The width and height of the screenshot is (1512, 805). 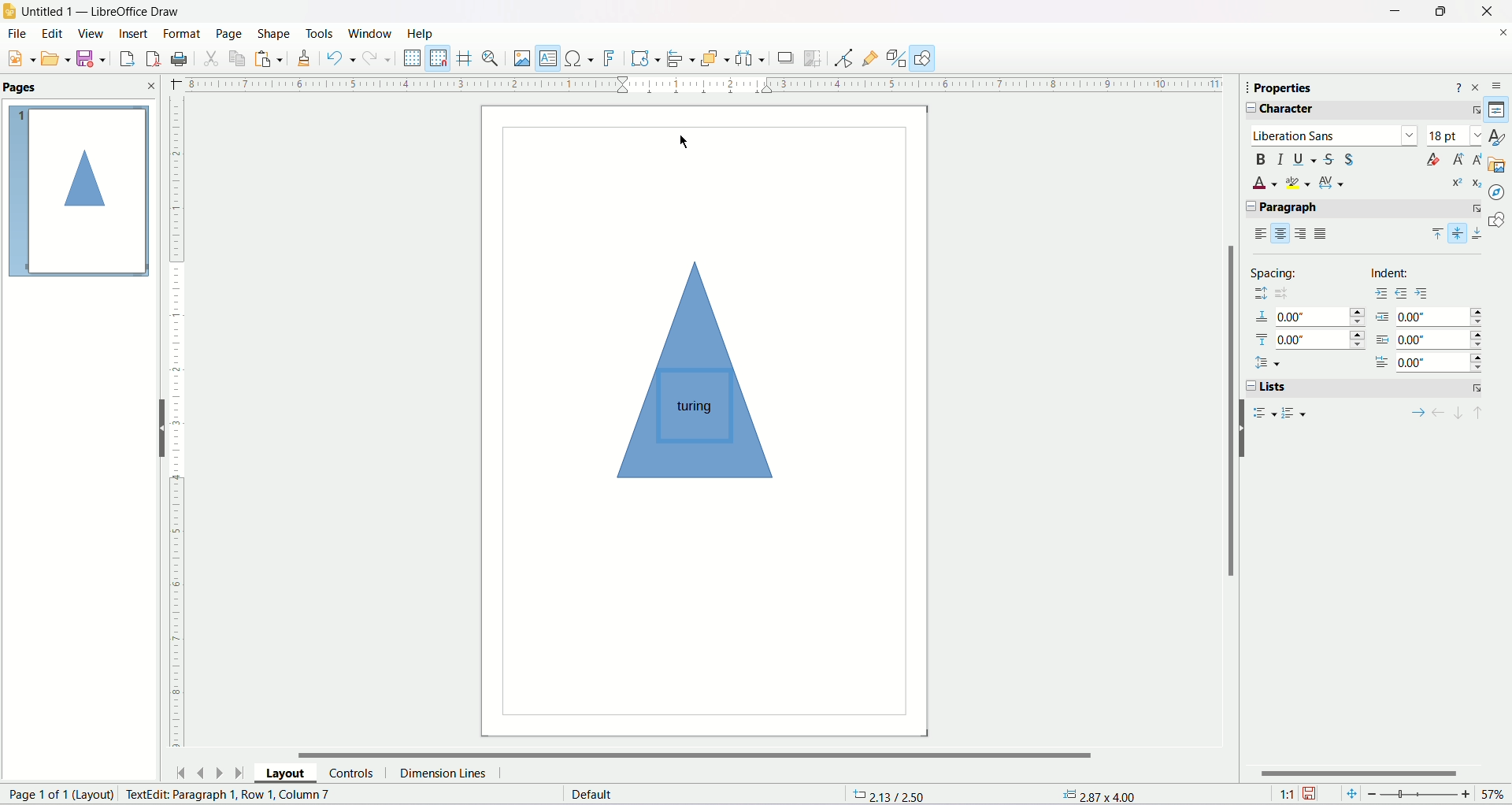 What do you see at coordinates (1332, 138) in the screenshot?
I see `liberation sans` at bounding box center [1332, 138].